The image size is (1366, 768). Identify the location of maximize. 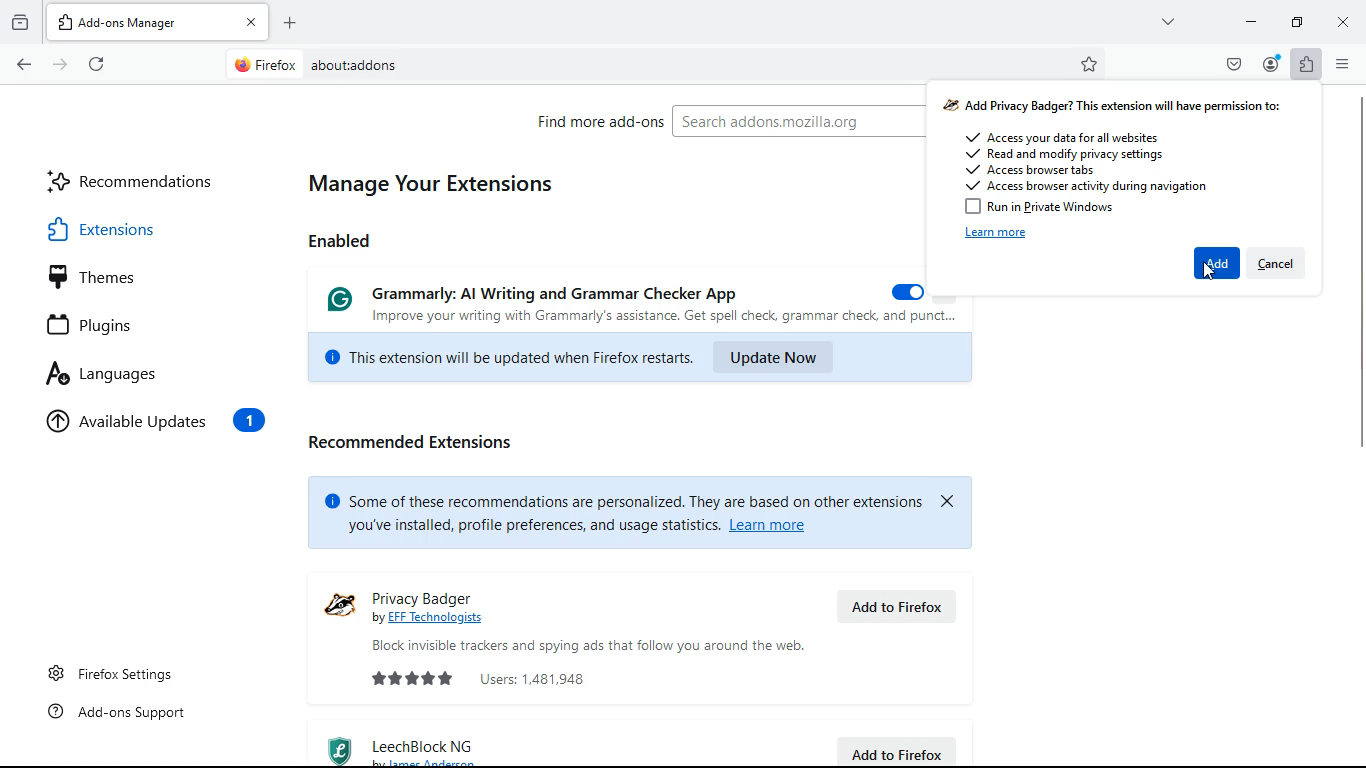
(1295, 22).